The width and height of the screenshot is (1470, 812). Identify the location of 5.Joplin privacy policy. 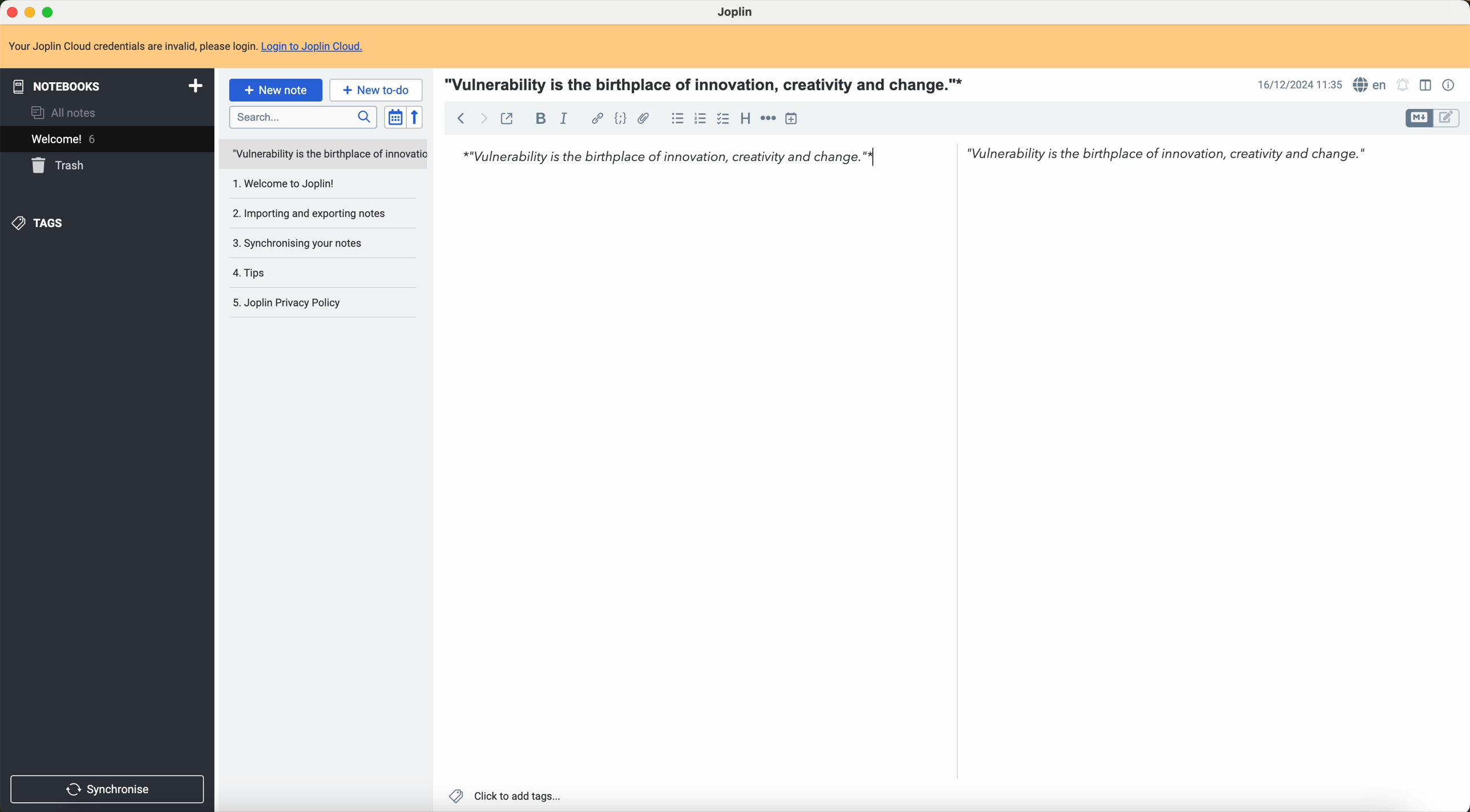
(293, 302).